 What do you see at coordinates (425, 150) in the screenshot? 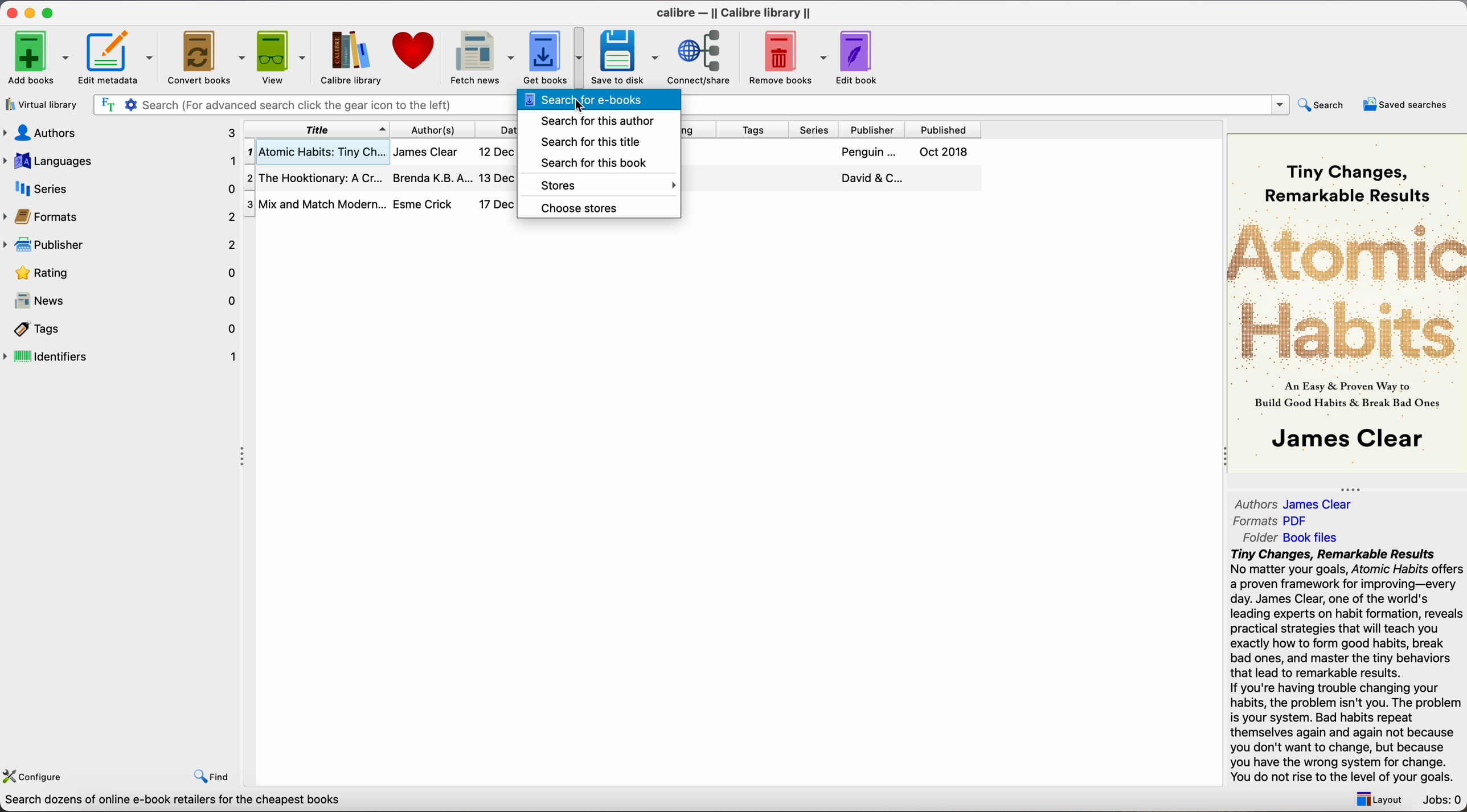
I see `James Clear` at bounding box center [425, 150].